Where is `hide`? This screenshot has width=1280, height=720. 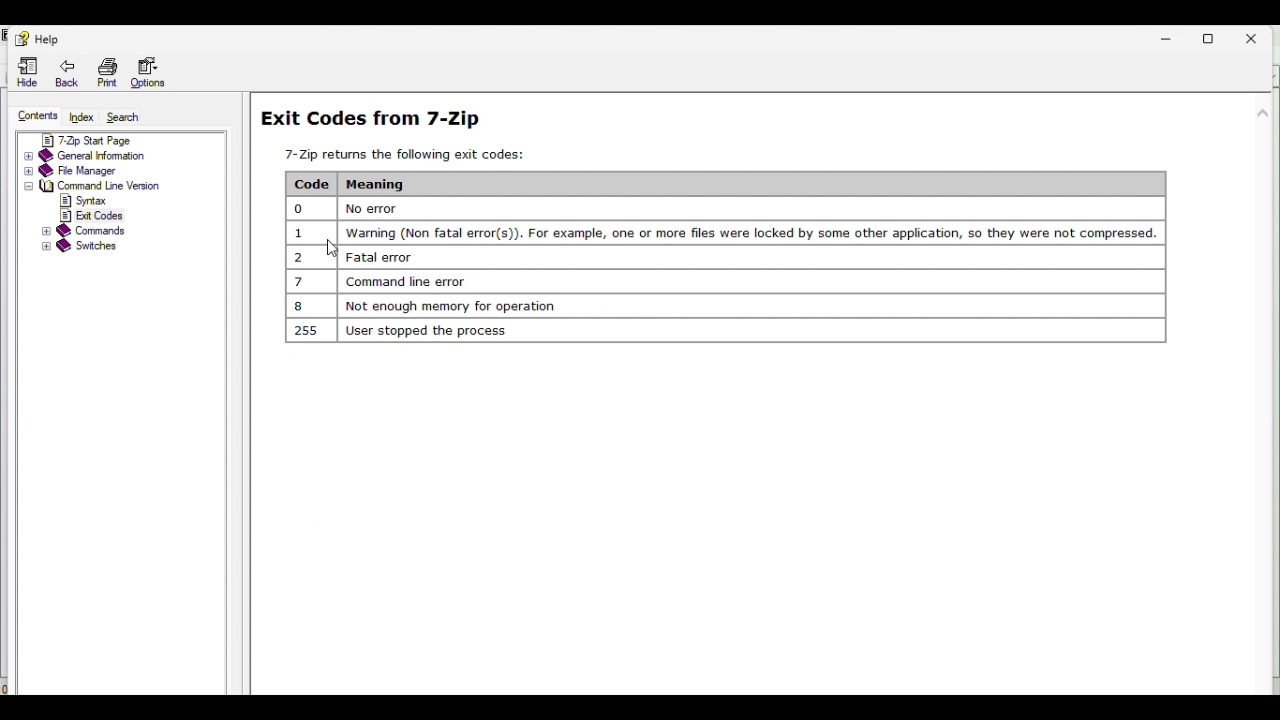 hide is located at coordinates (28, 71).